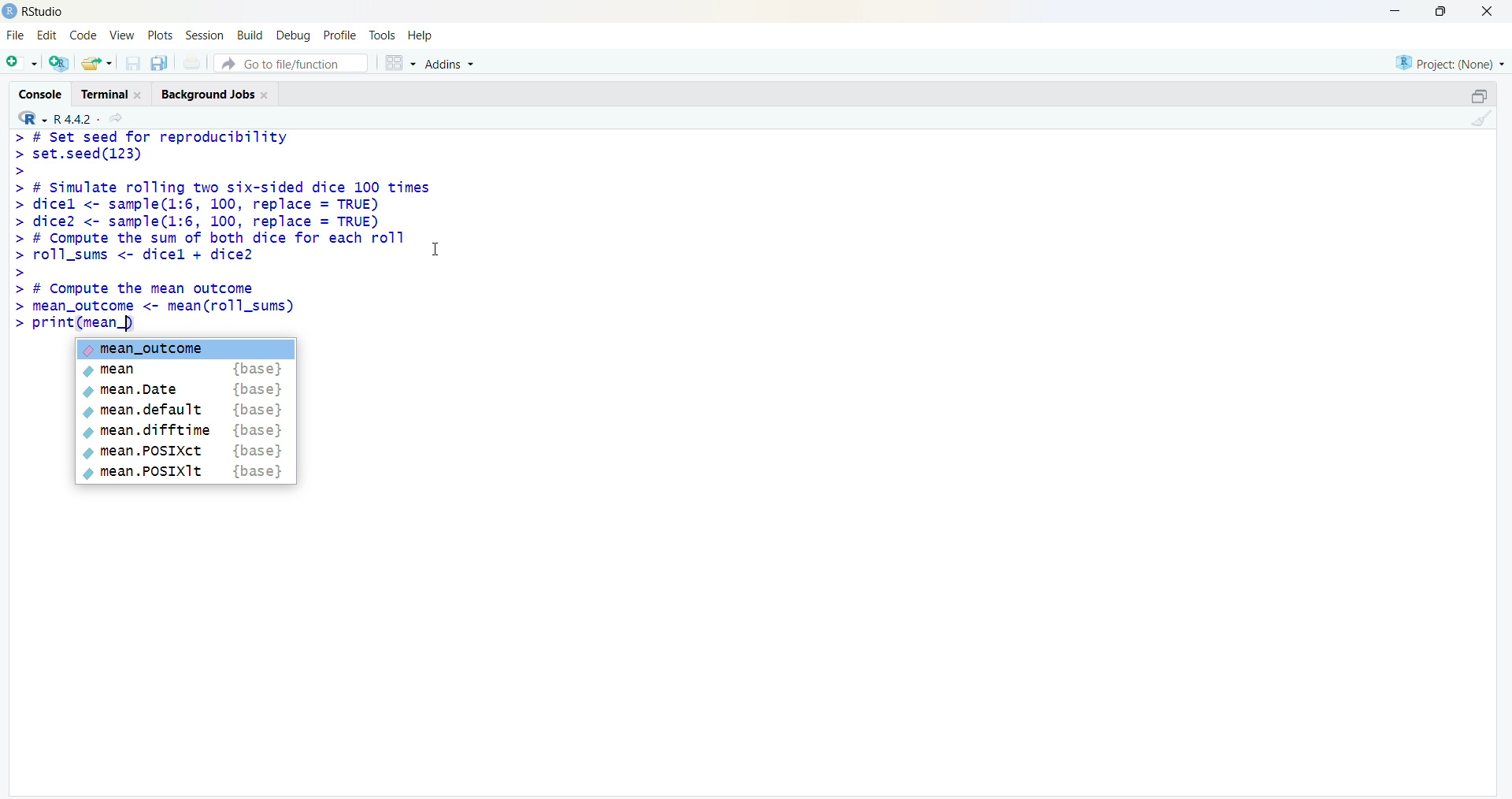 The width and height of the screenshot is (1512, 799). Describe the element at coordinates (401, 63) in the screenshot. I see `grid` at that location.